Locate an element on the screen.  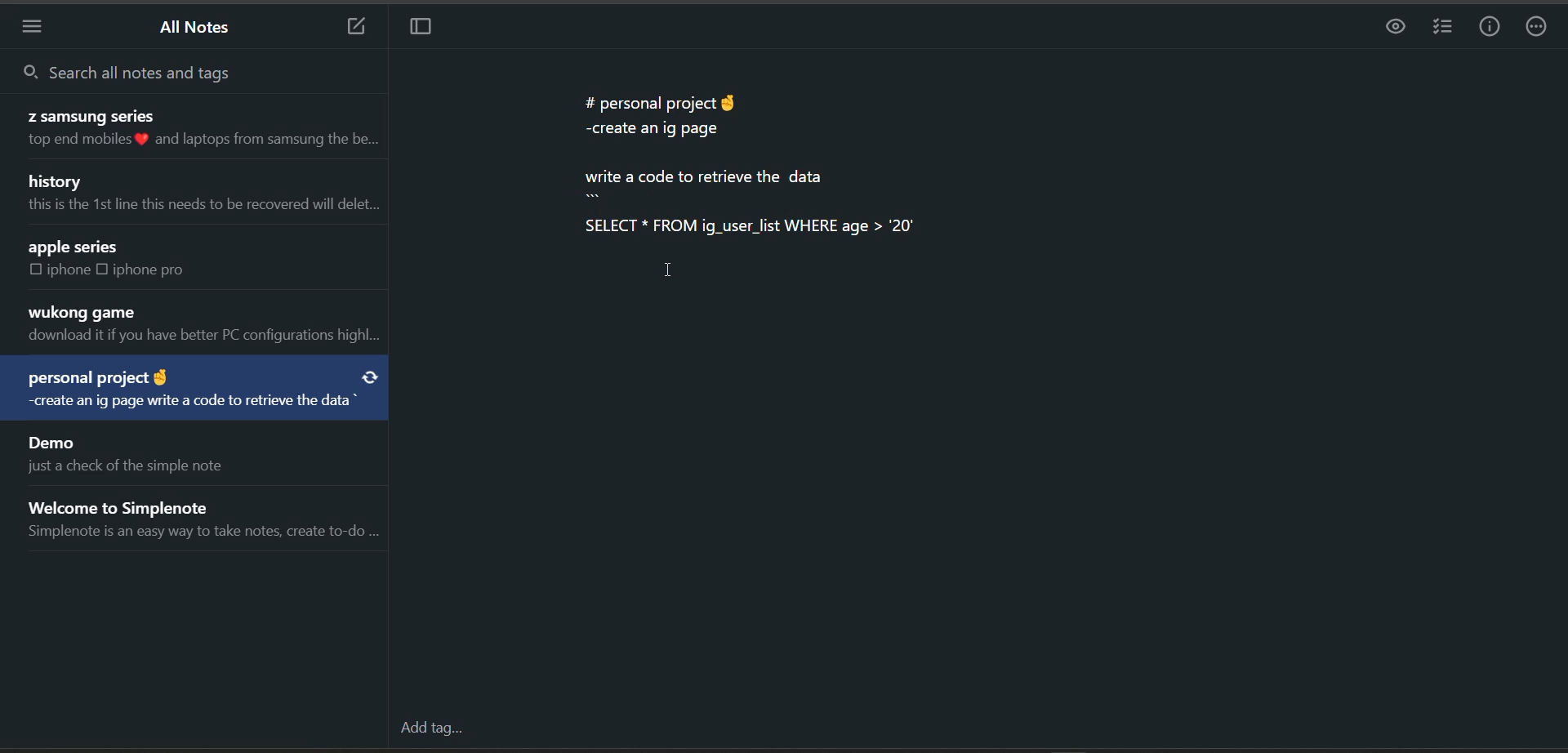
# personal project §

-create an ig page

write a code to retrieve the data

SELECT * FROM ig_user_list WHERE age > ‘20 is located at coordinates (752, 163).